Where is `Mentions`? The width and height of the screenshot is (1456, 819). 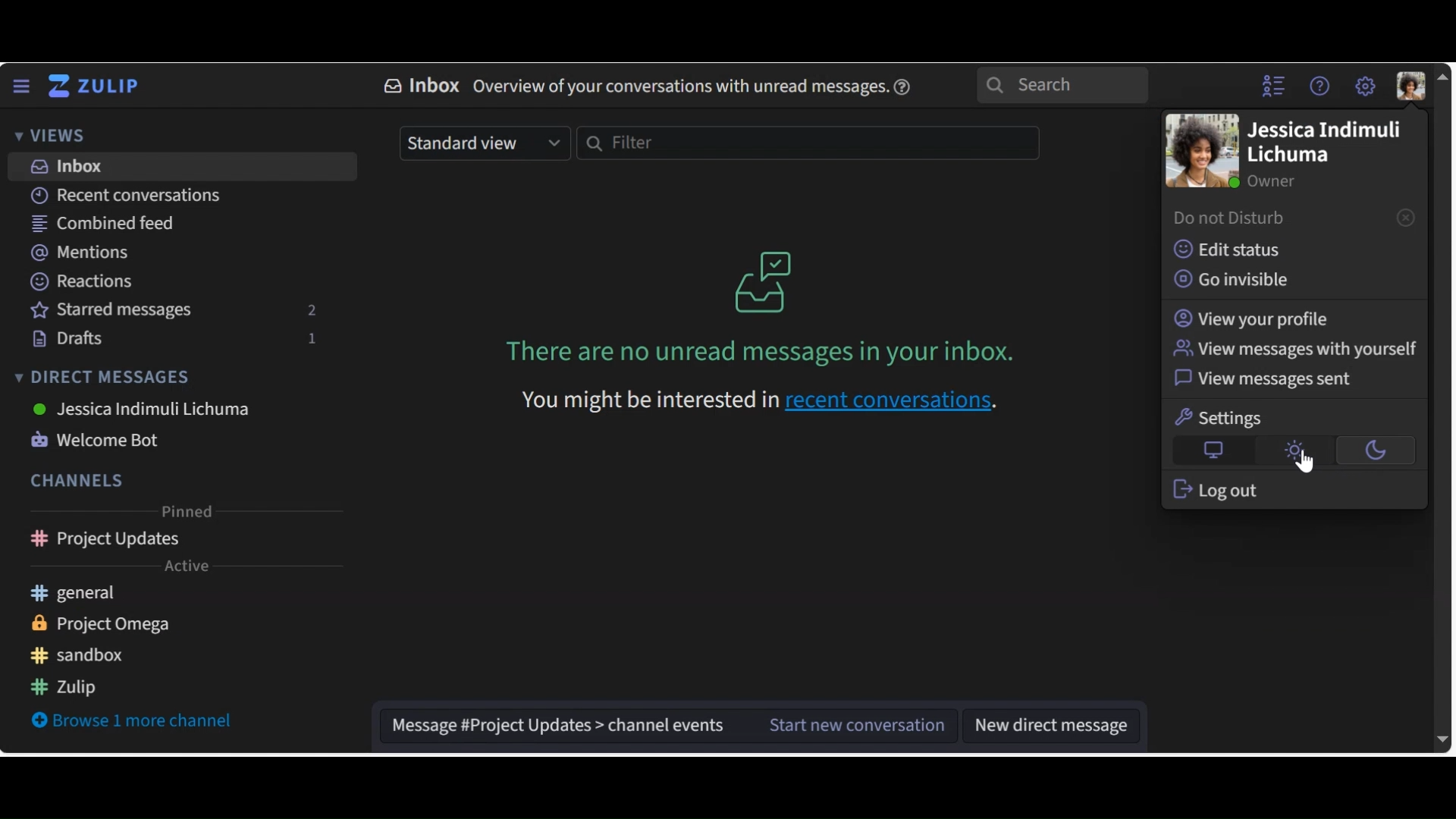 Mentions is located at coordinates (83, 253).